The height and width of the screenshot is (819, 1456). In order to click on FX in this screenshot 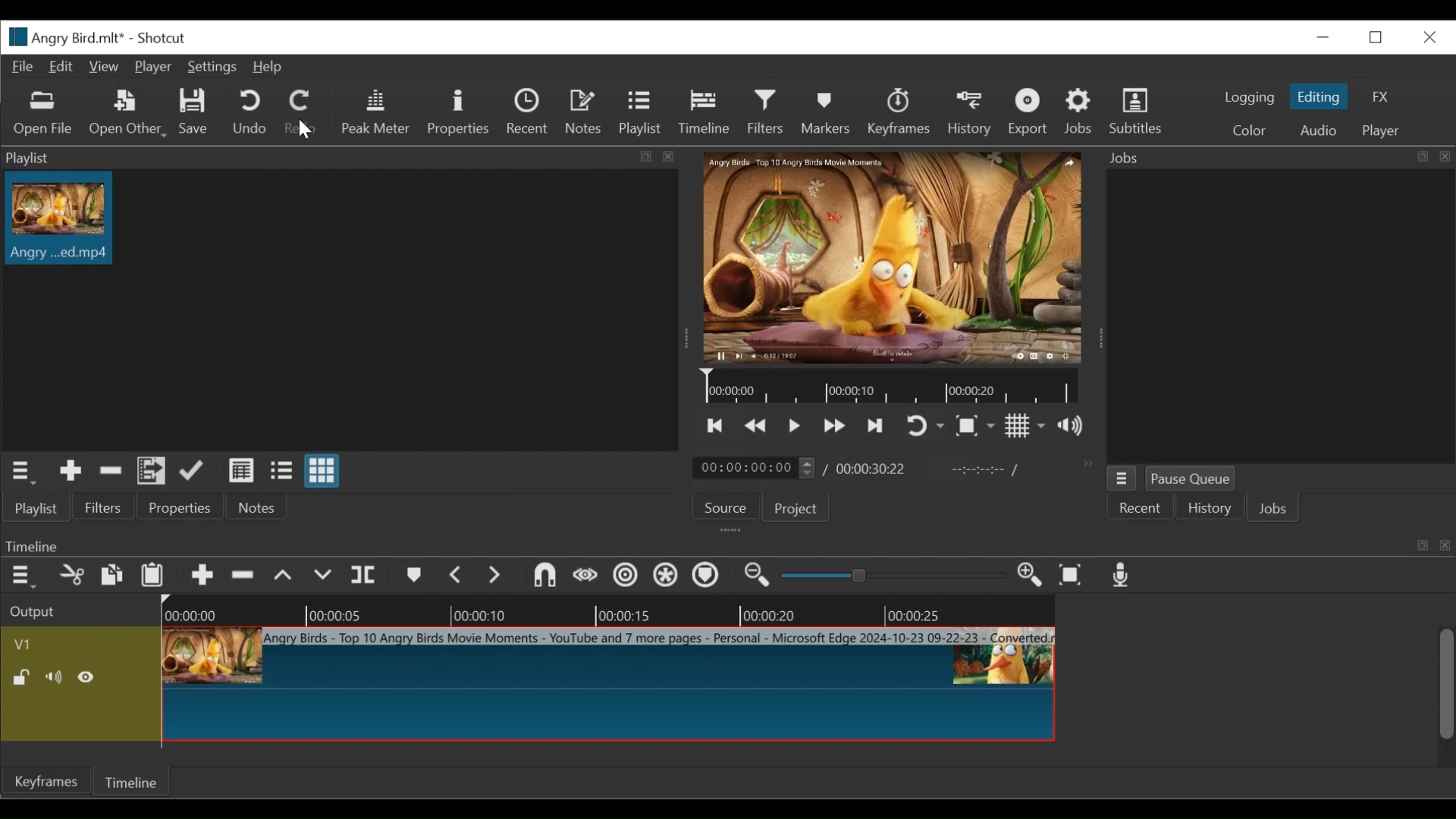, I will do `click(1378, 96)`.